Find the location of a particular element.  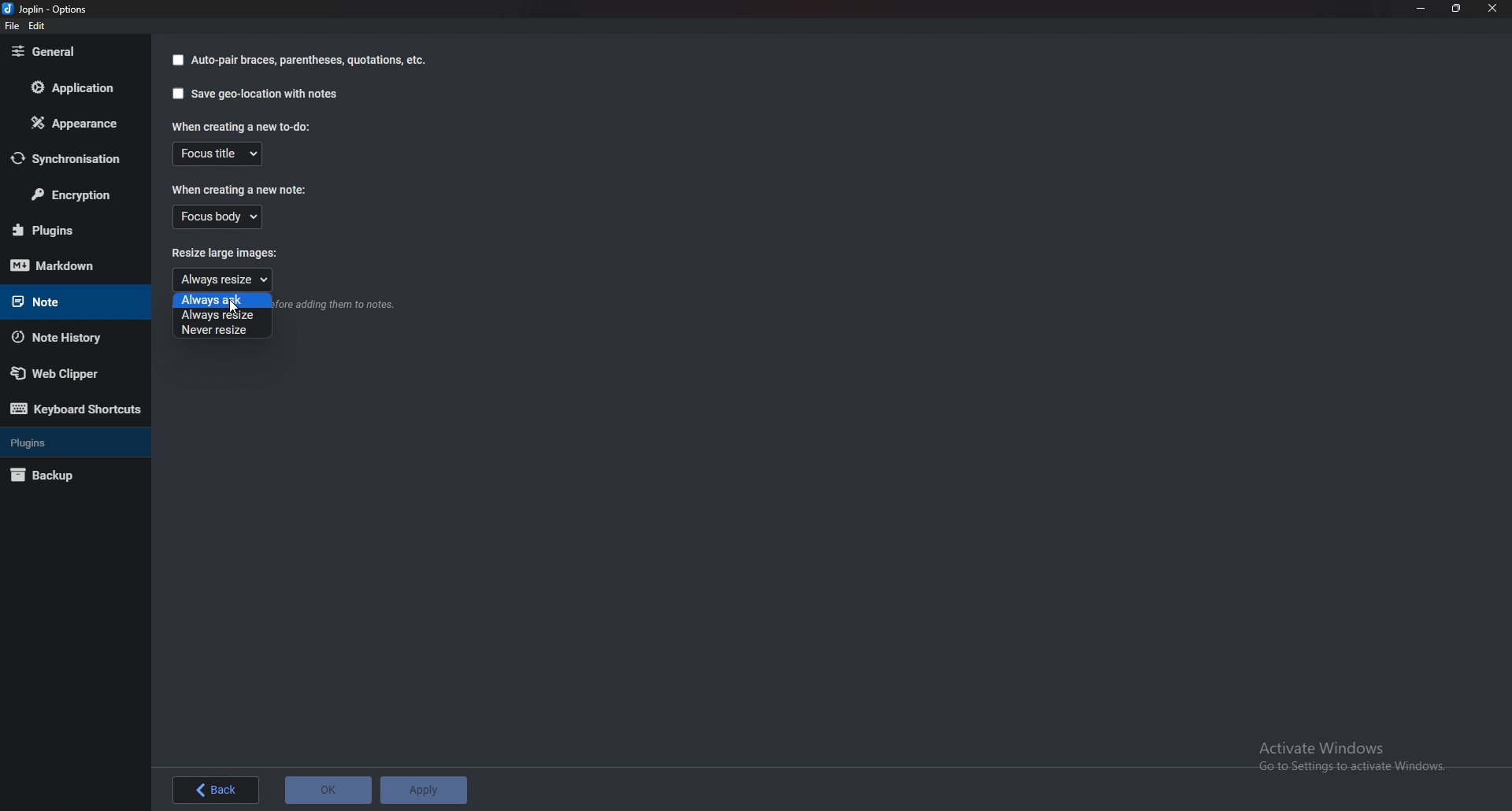

Focus body is located at coordinates (218, 218).